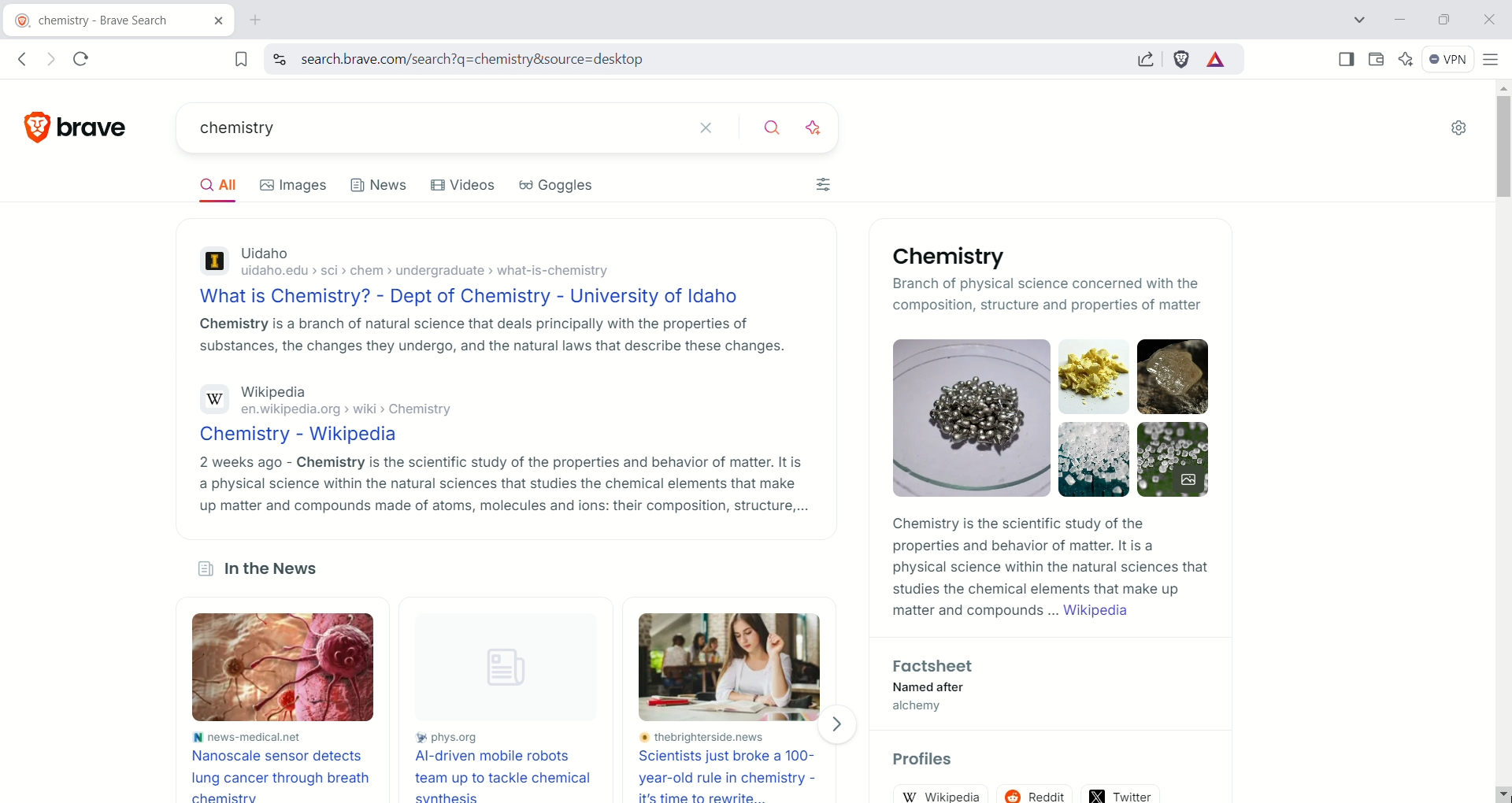  Describe the element at coordinates (568, 189) in the screenshot. I see `Goggles` at that location.